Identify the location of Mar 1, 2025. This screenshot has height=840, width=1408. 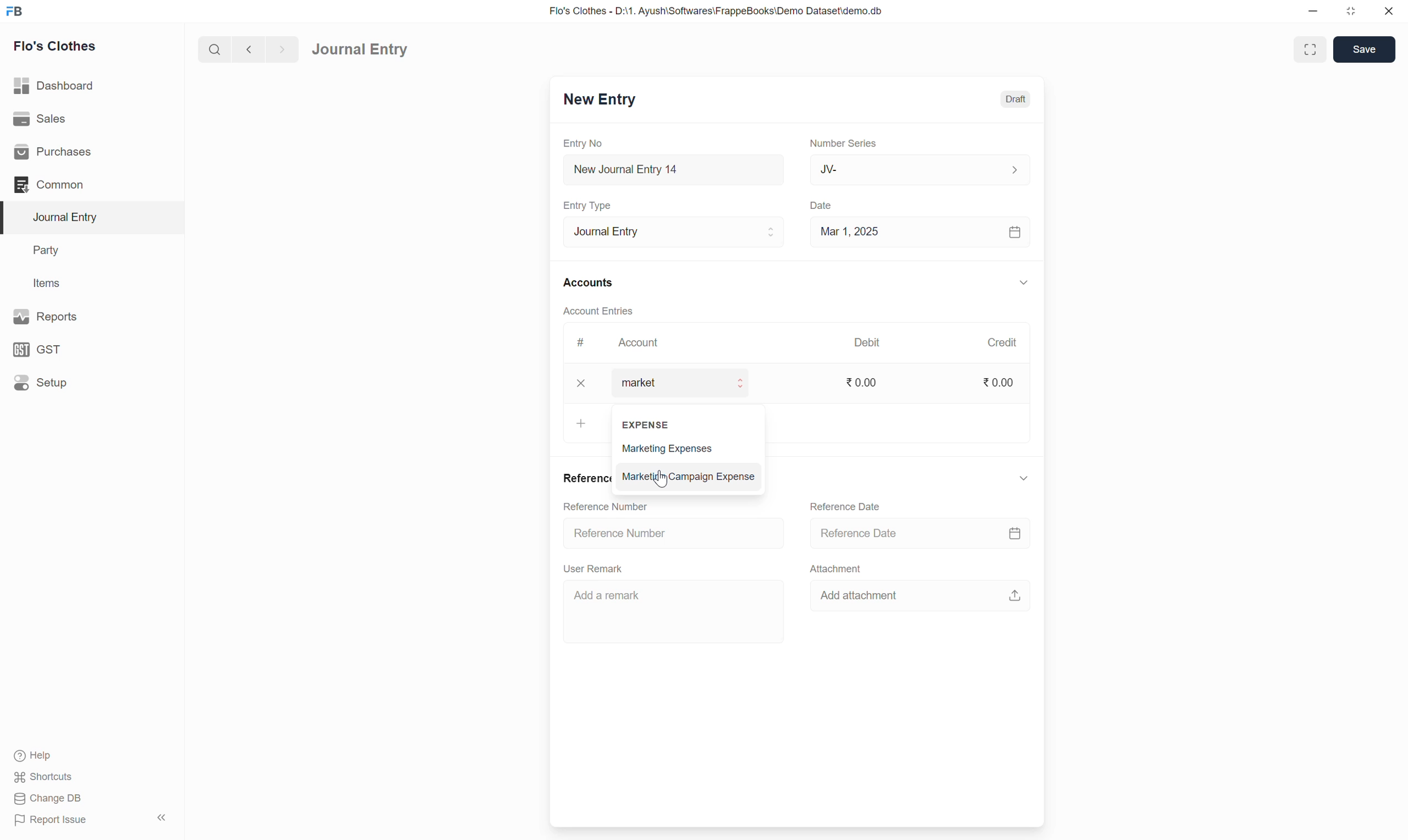
(850, 231).